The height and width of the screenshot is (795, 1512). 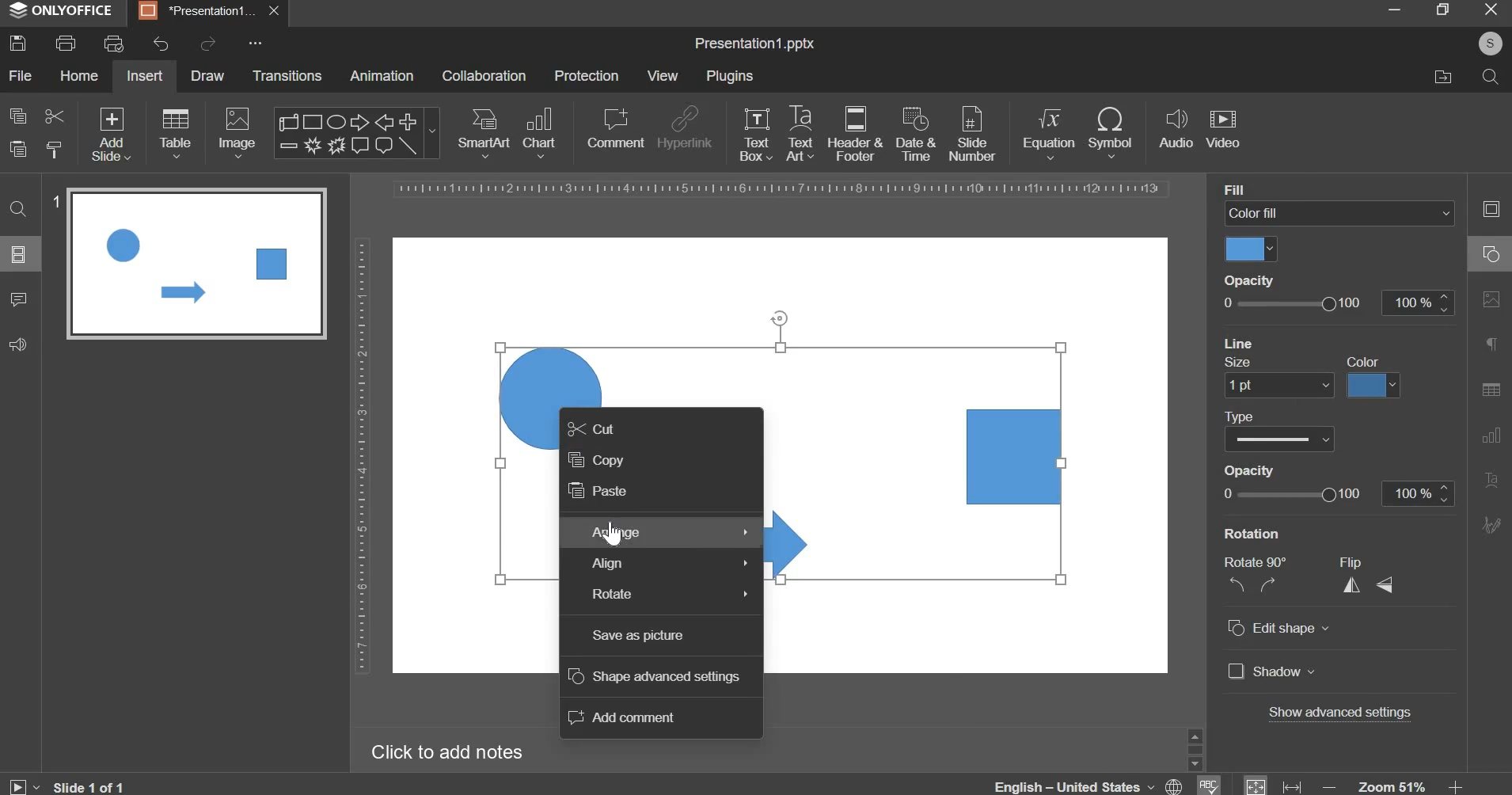 What do you see at coordinates (800, 133) in the screenshot?
I see `text art` at bounding box center [800, 133].